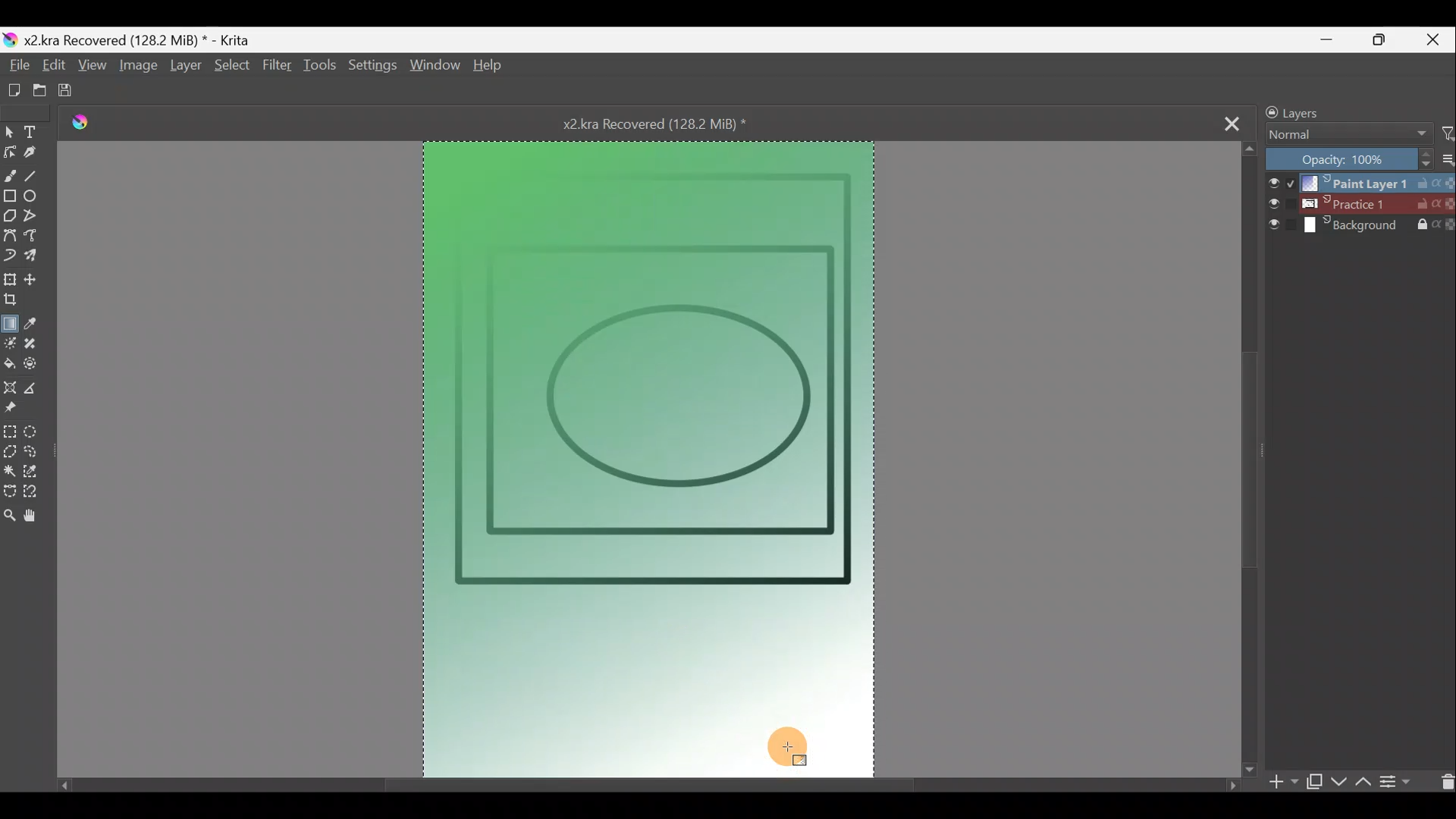 This screenshot has width=1456, height=819. Describe the element at coordinates (35, 199) in the screenshot. I see `Ellipse tool` at that location.